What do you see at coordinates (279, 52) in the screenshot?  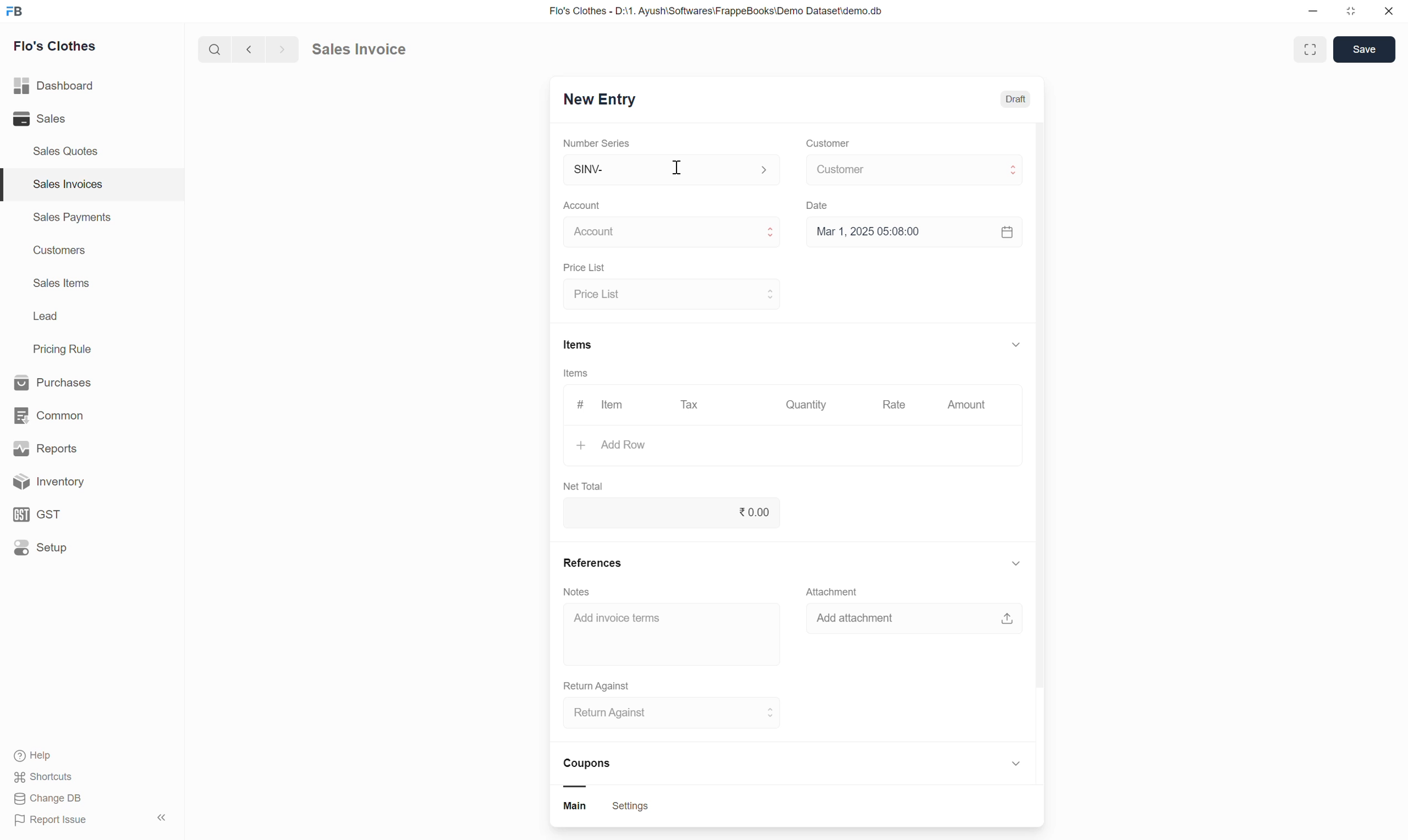 I see `go forward ` at bounding box center [279, 52].